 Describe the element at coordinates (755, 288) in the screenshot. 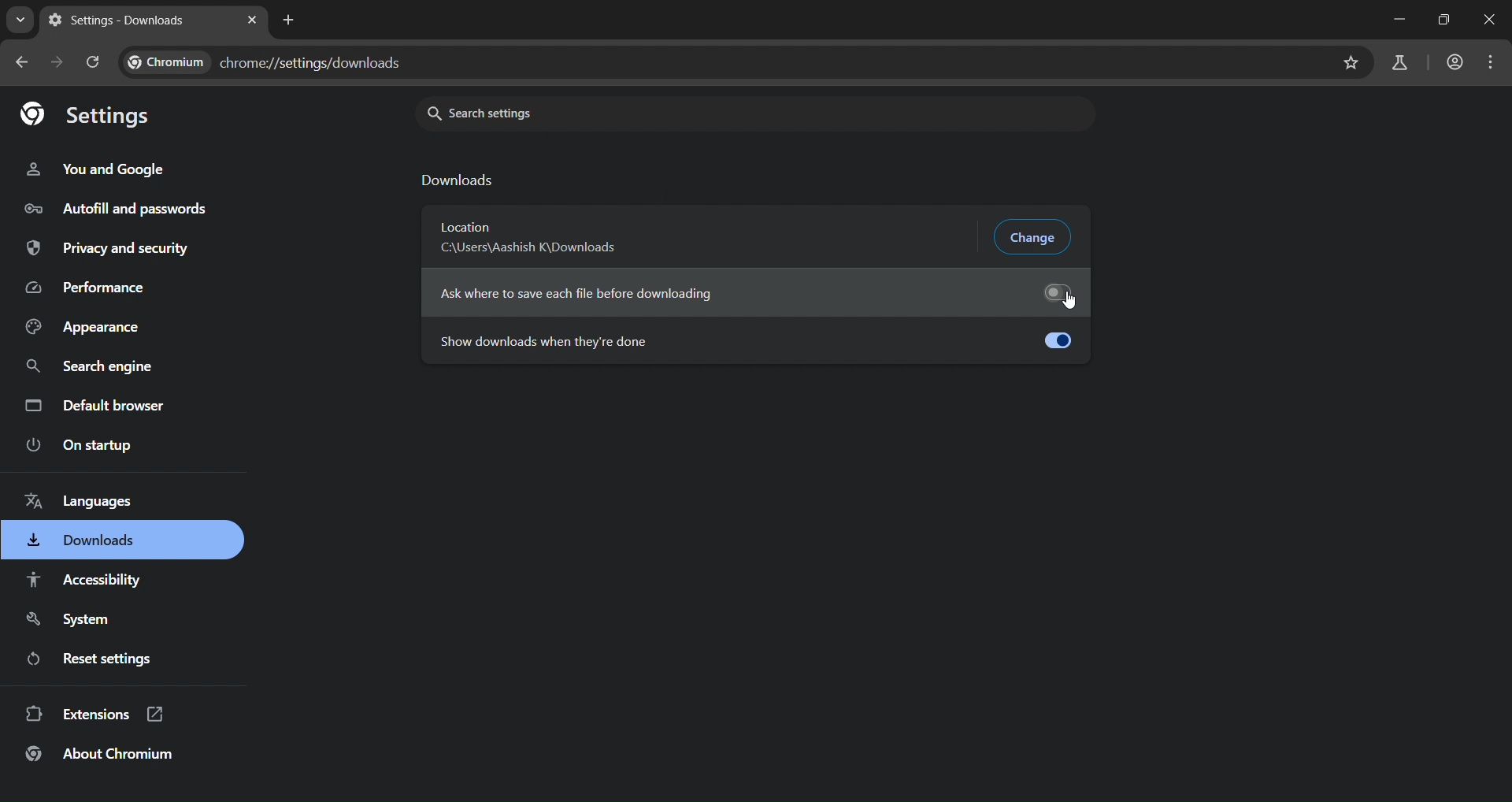

I see `ask where to save each file before downloading` at that location.